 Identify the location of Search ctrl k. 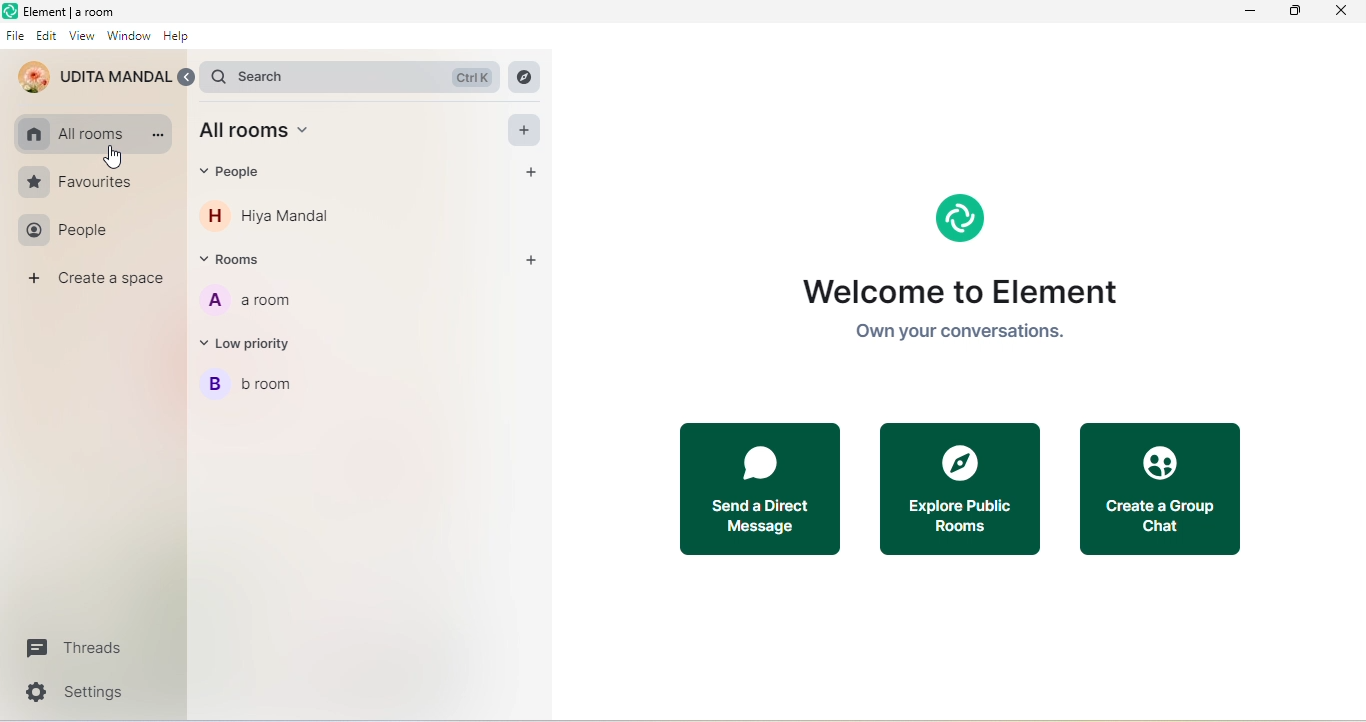
(349, 75).